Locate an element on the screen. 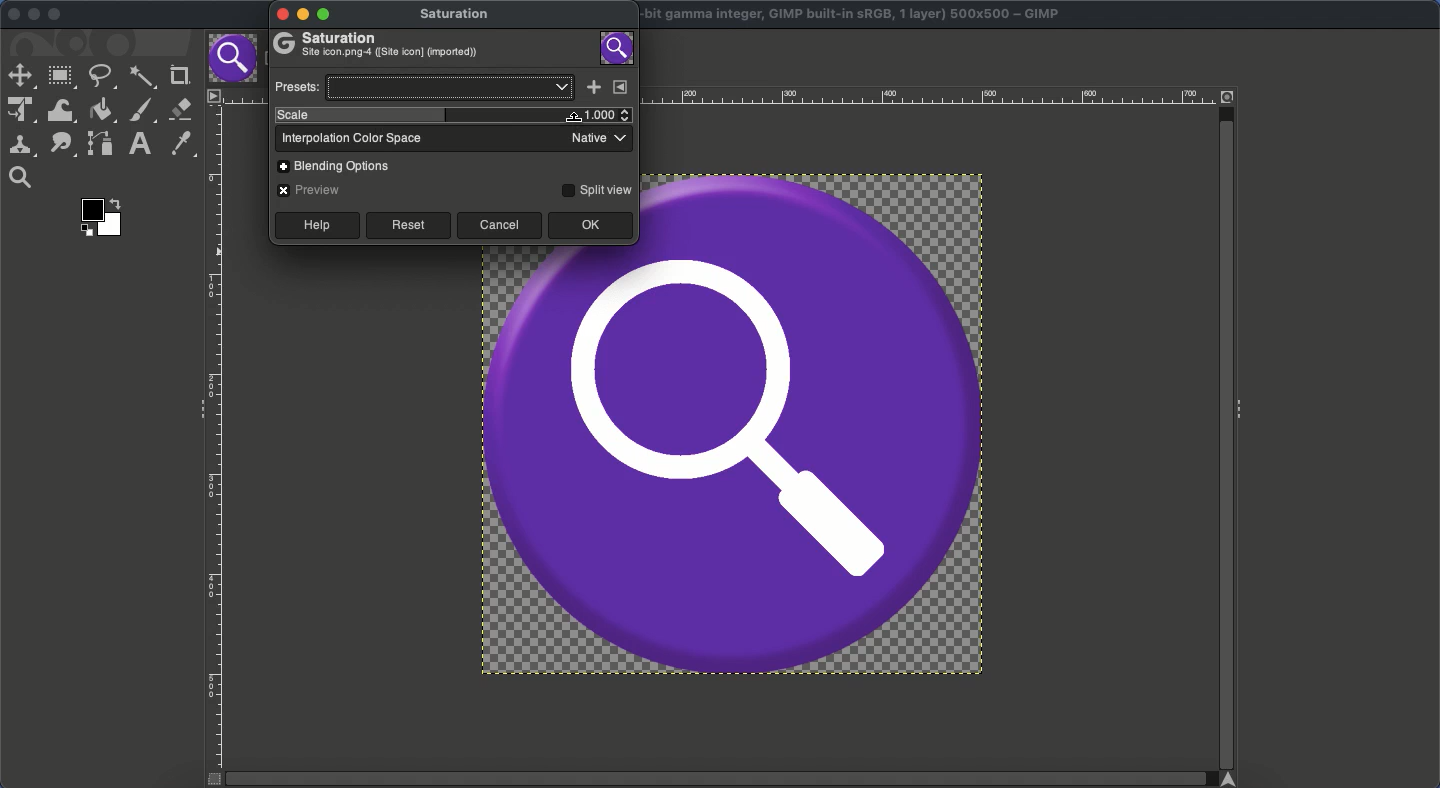 The image size is (1440, 788). Presets is located at coordinates (422, 87).